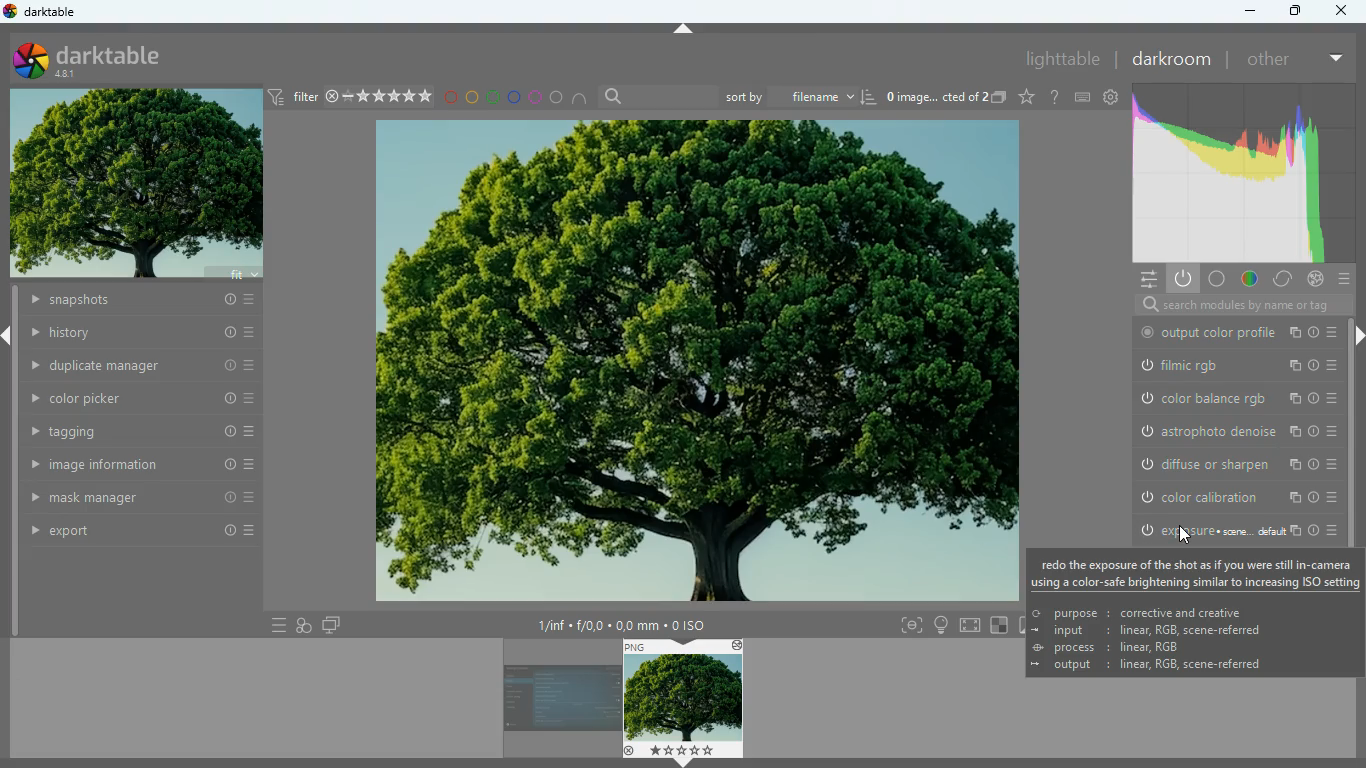  What do you see at coordinates (1248, 174) in the screenshot?
I see `gradient` at bounding box center [1248, 174].